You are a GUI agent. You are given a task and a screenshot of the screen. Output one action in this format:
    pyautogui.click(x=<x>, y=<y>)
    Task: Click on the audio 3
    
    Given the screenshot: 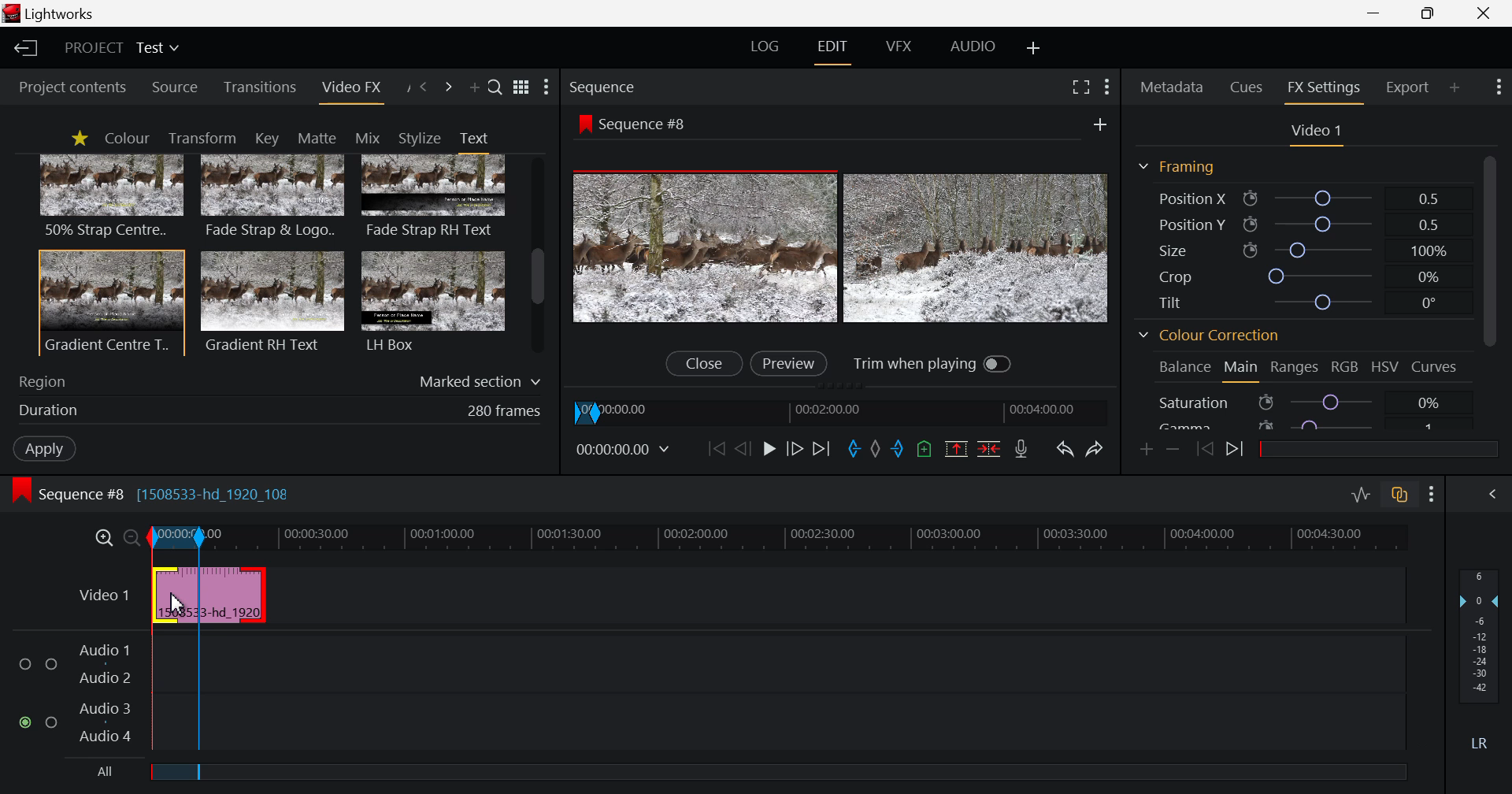 What is the action you would take?
    pyautogui.click(x=100, y=707)
    